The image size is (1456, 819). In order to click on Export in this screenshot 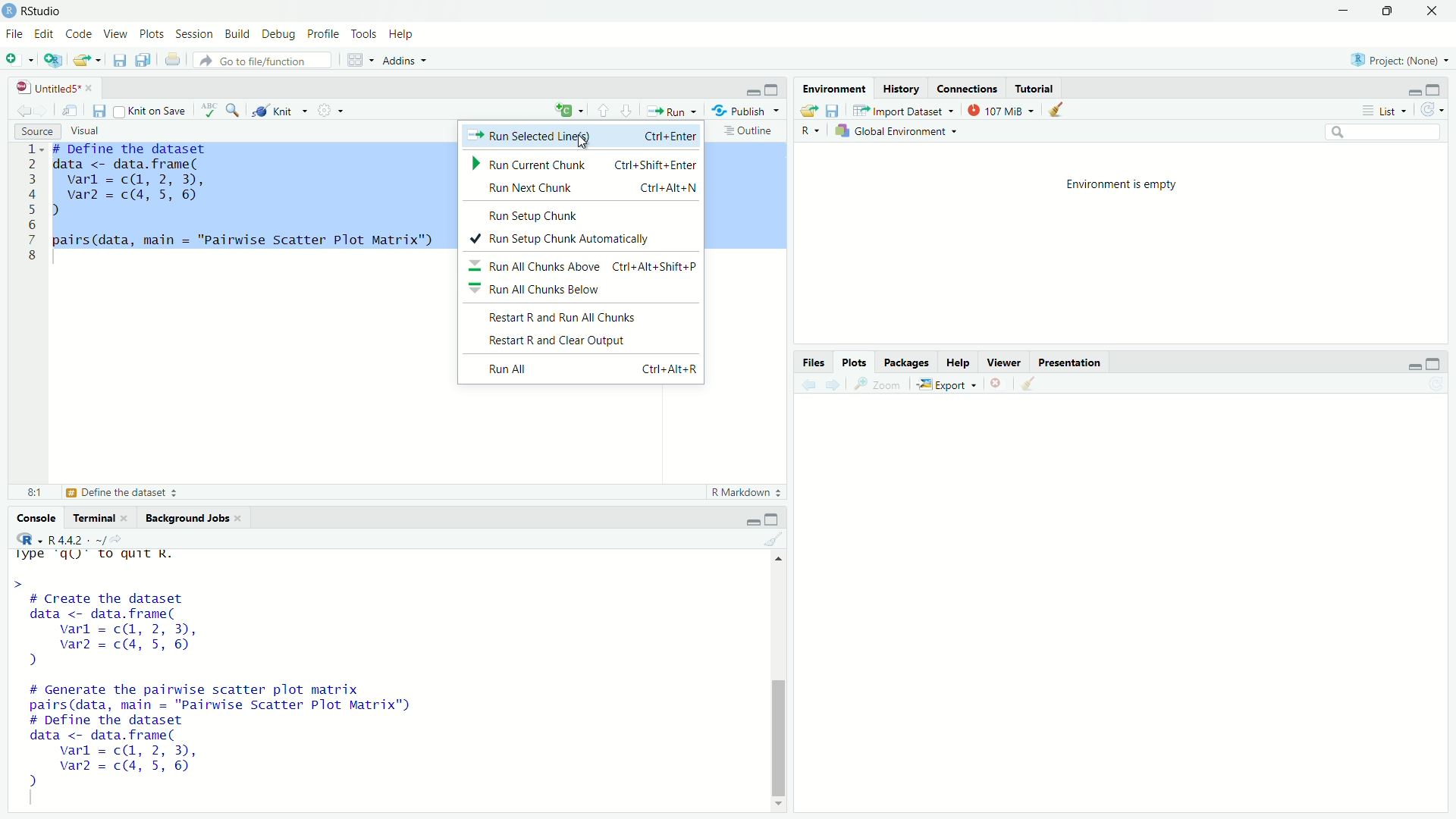, I will do `click(945, 384)`.